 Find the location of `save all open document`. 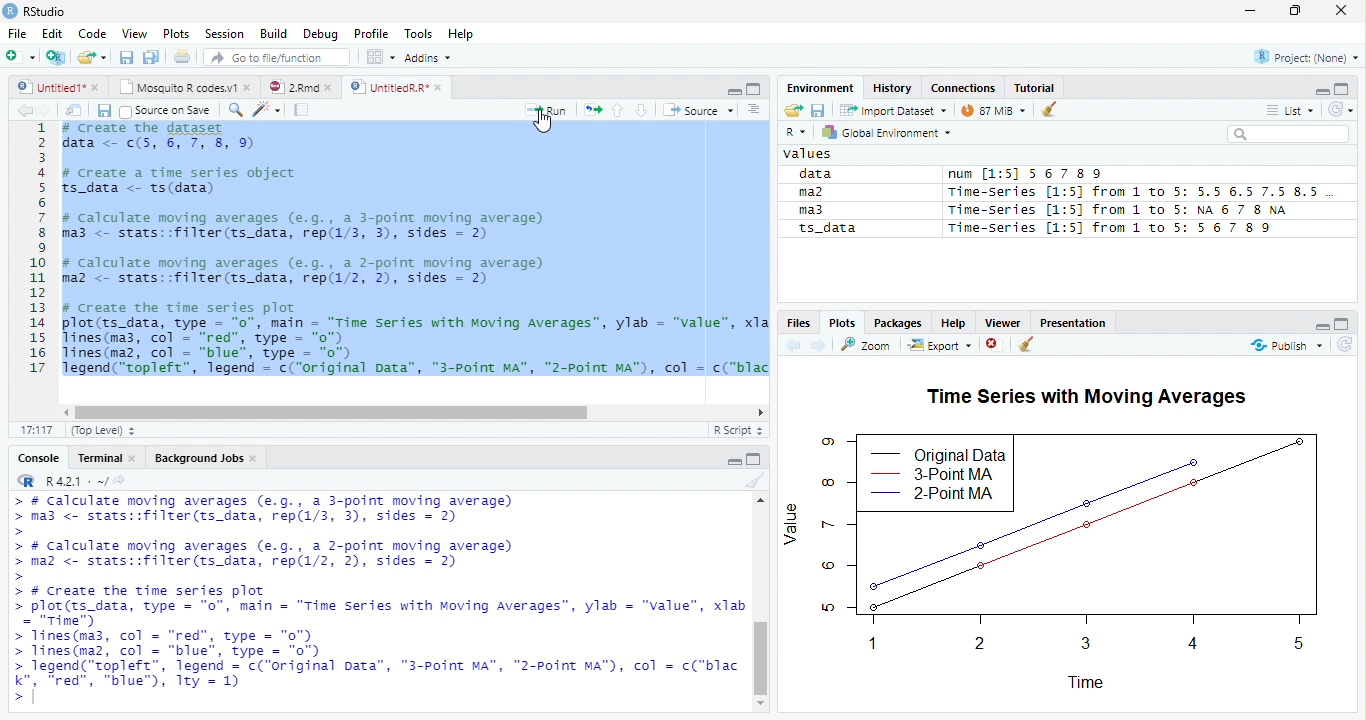

save all open document is located at coordinates (126, 57).